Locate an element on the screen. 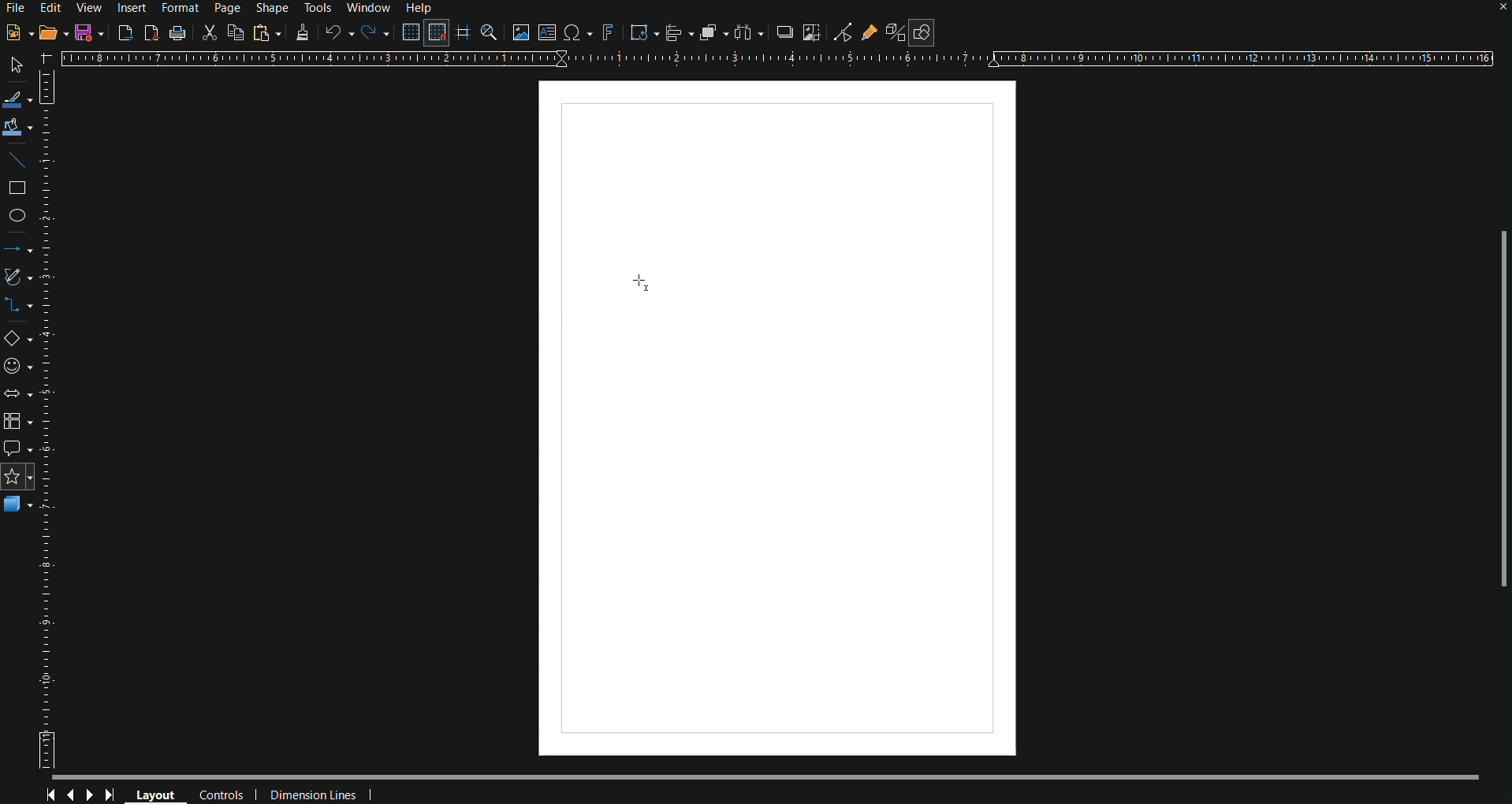 This screenshot has height=804, width=1512. Tools is located at coordinates (317, 8).